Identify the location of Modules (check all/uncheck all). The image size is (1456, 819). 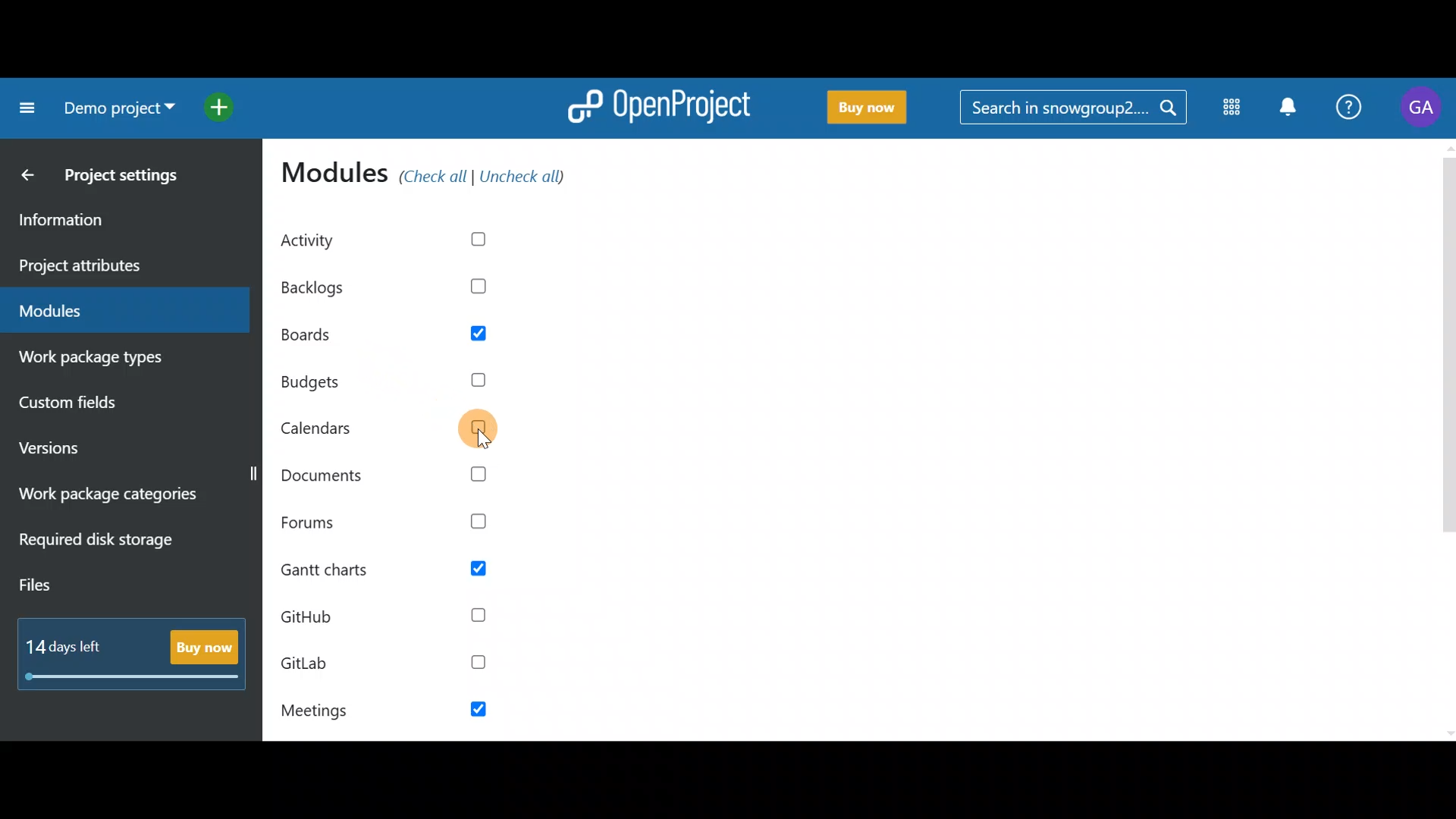
(425, 186).